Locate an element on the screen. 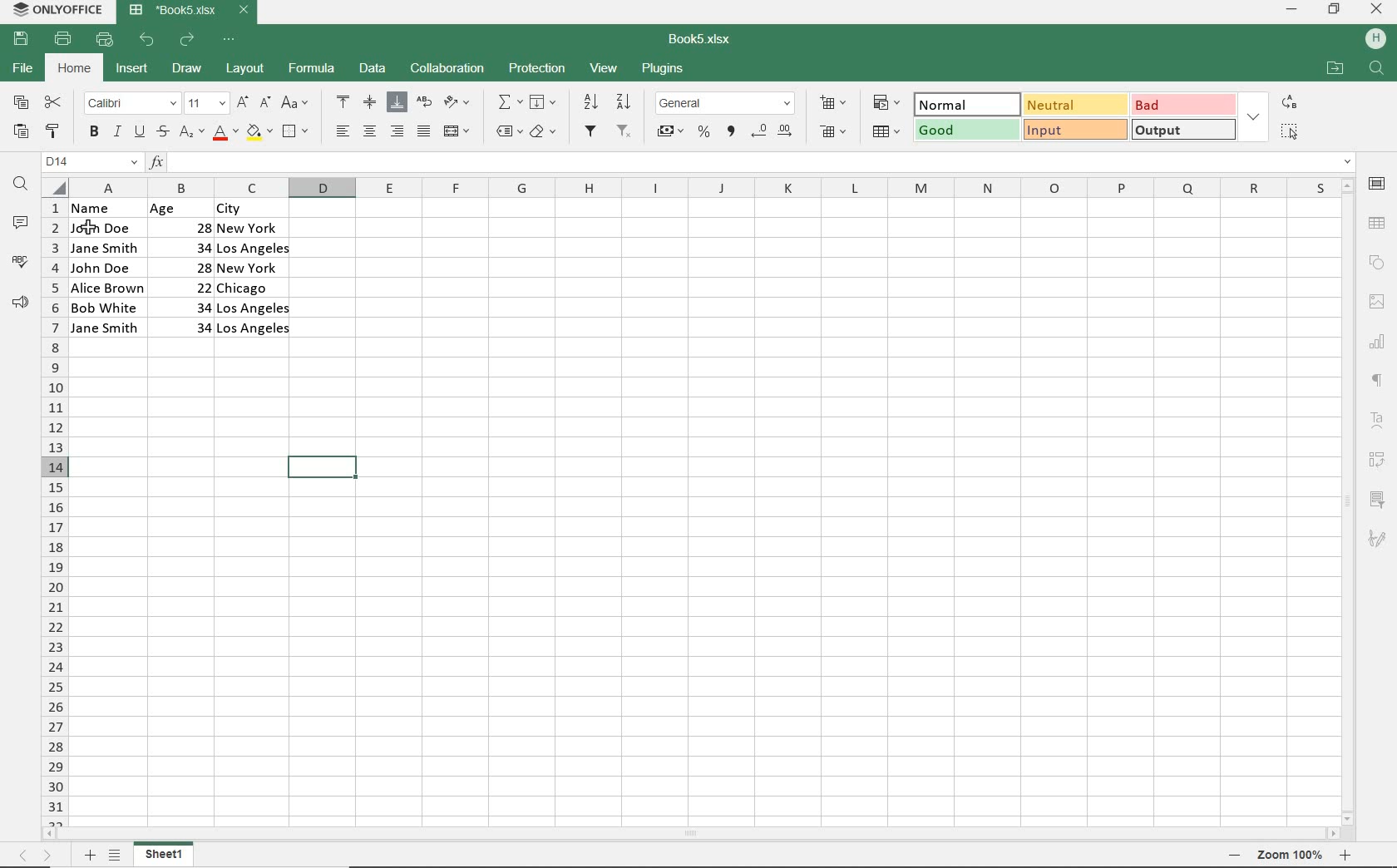 Image resolution: width=1397 pixels, height=868 pixels. SLICER is located at coordinates (1379, 501).